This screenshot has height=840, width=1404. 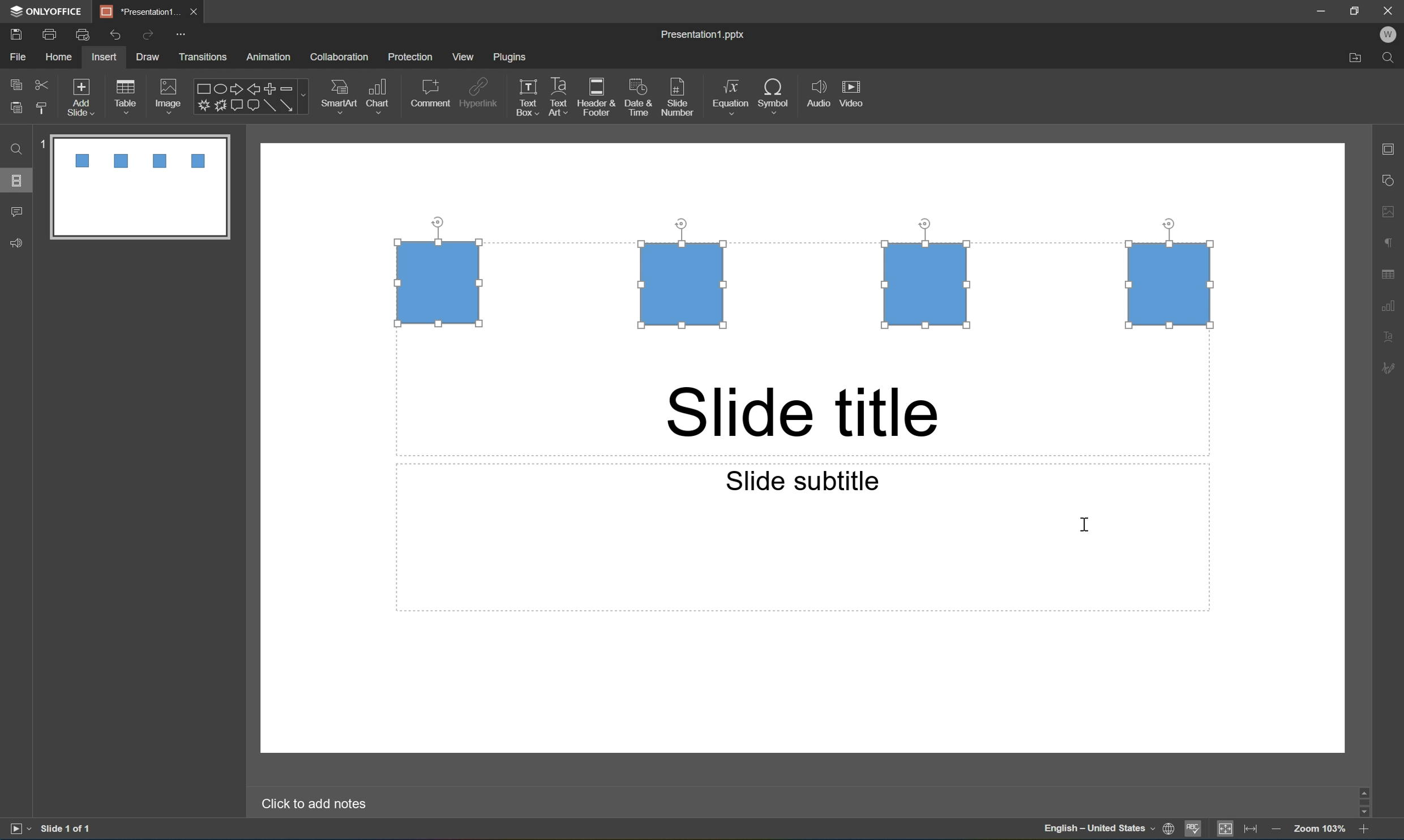 I want to click on customize quick access toolbar, so click(x=181, y=33).